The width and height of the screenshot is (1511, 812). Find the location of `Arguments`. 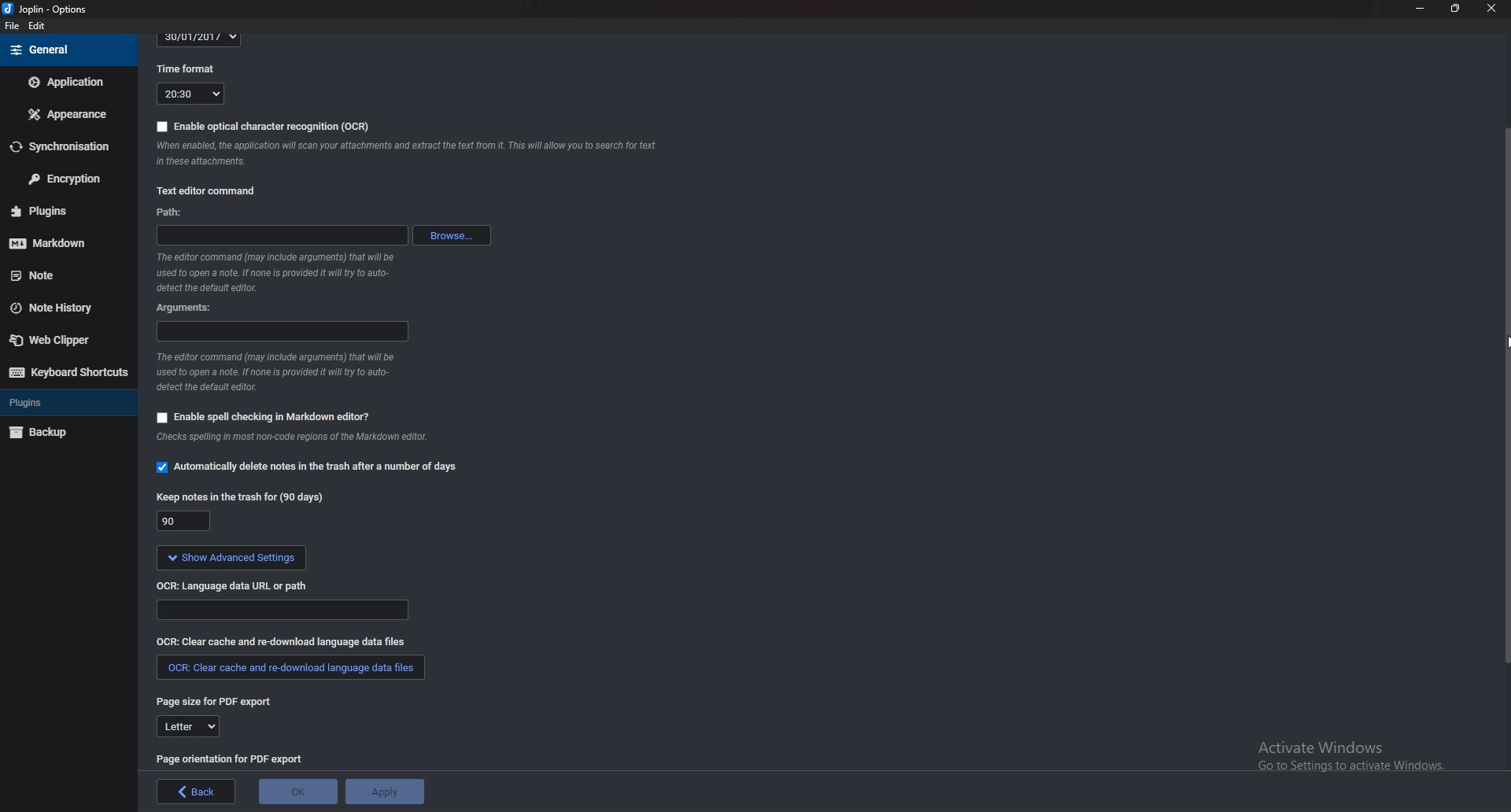

Arguments is located at coordinates (191, 308).